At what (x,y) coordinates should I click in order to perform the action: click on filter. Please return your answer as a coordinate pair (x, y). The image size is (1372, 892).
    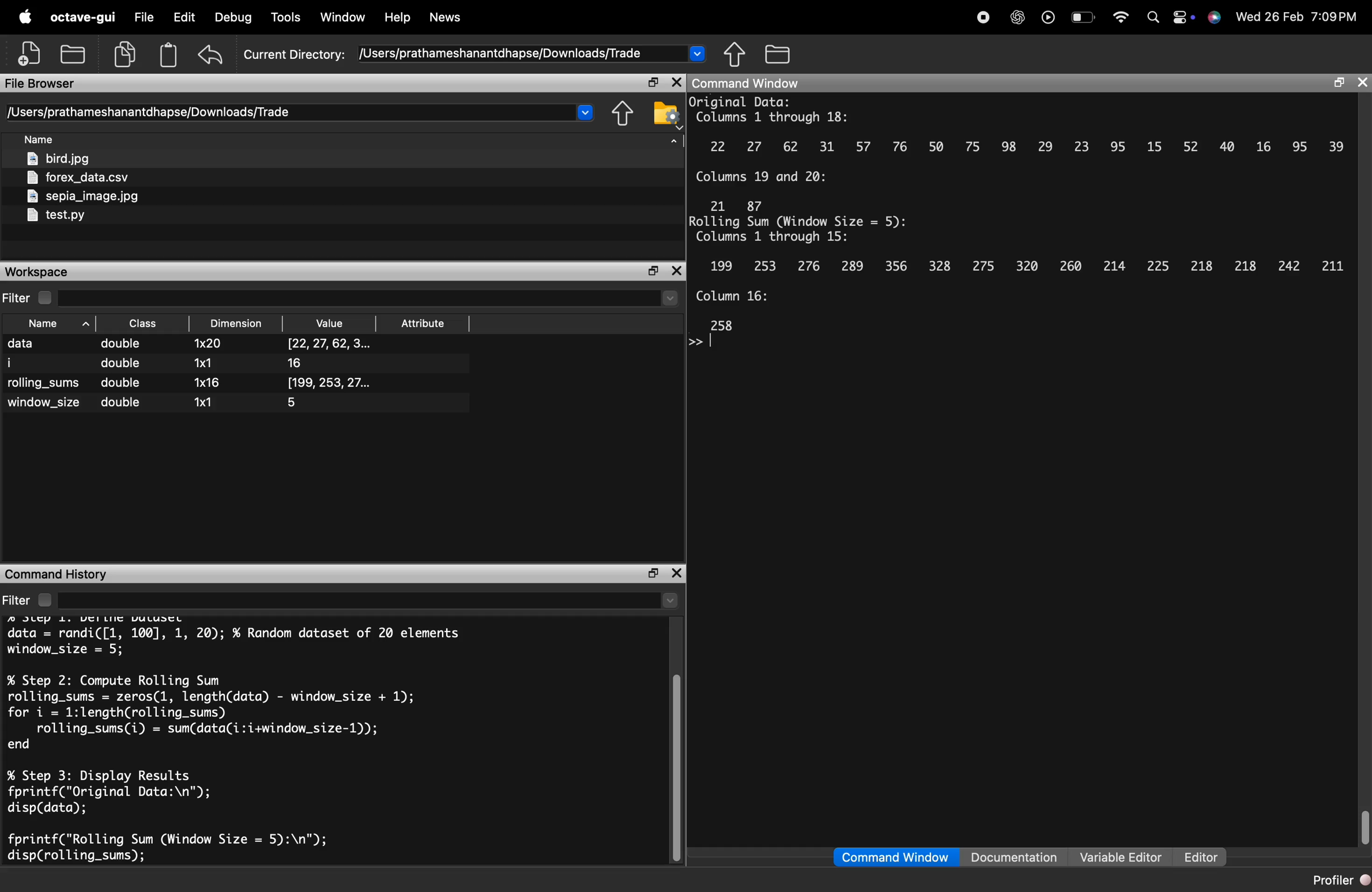
    Looking at the image, I should click on (29, 297).